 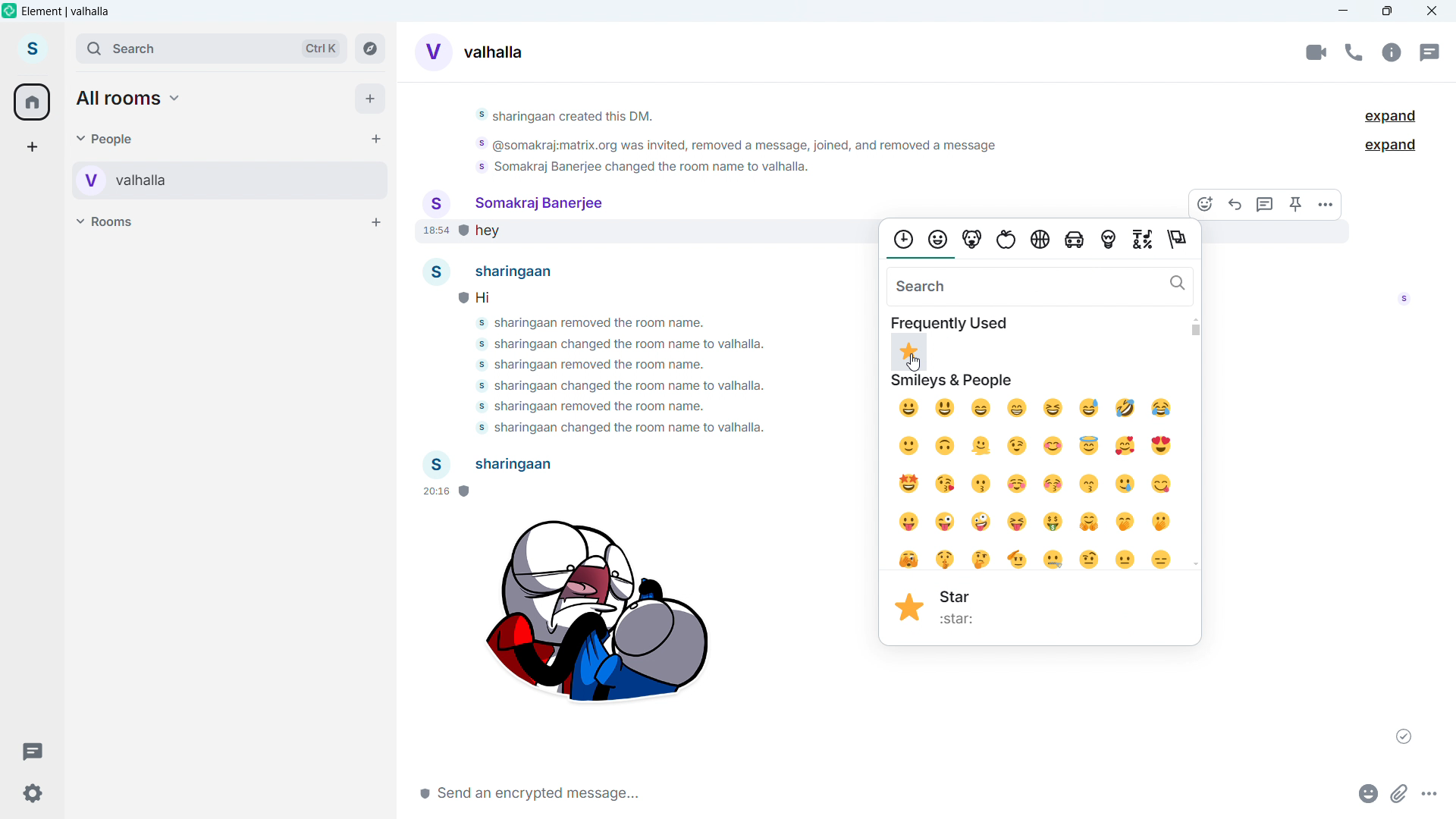 What do you see at coordinates (1054, 485) in the screenshot?
I see `kissing face with closed eyes` at bounding box center [1054, 485].